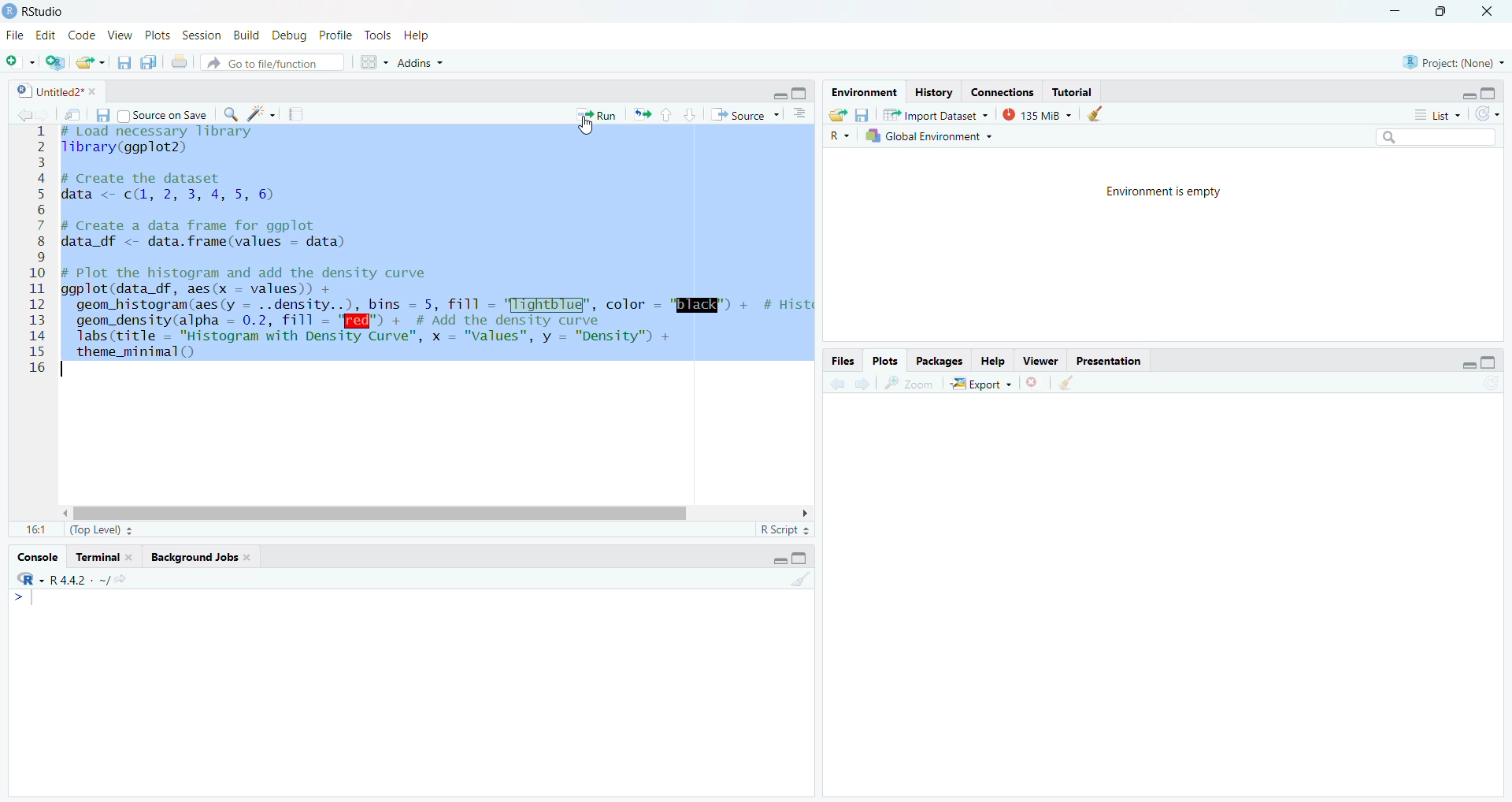 This screenshot has width=1512, height=802. I want to click on # Plot the histogram and add the density curve
ggplot(data_df, aes(x = values)) +
geom_histogram(aes(y = ..density..), bins = 5, fill = '[ightbIug", color - "QUEER" + # Hist
geom_density(alpha = 0.2, fill = '[@@") + # Add the density curve
Tabs (title = "Histogram with Density Curve", x = "Values", y = "Density") +
theme_minimal(), so click(439, 312).